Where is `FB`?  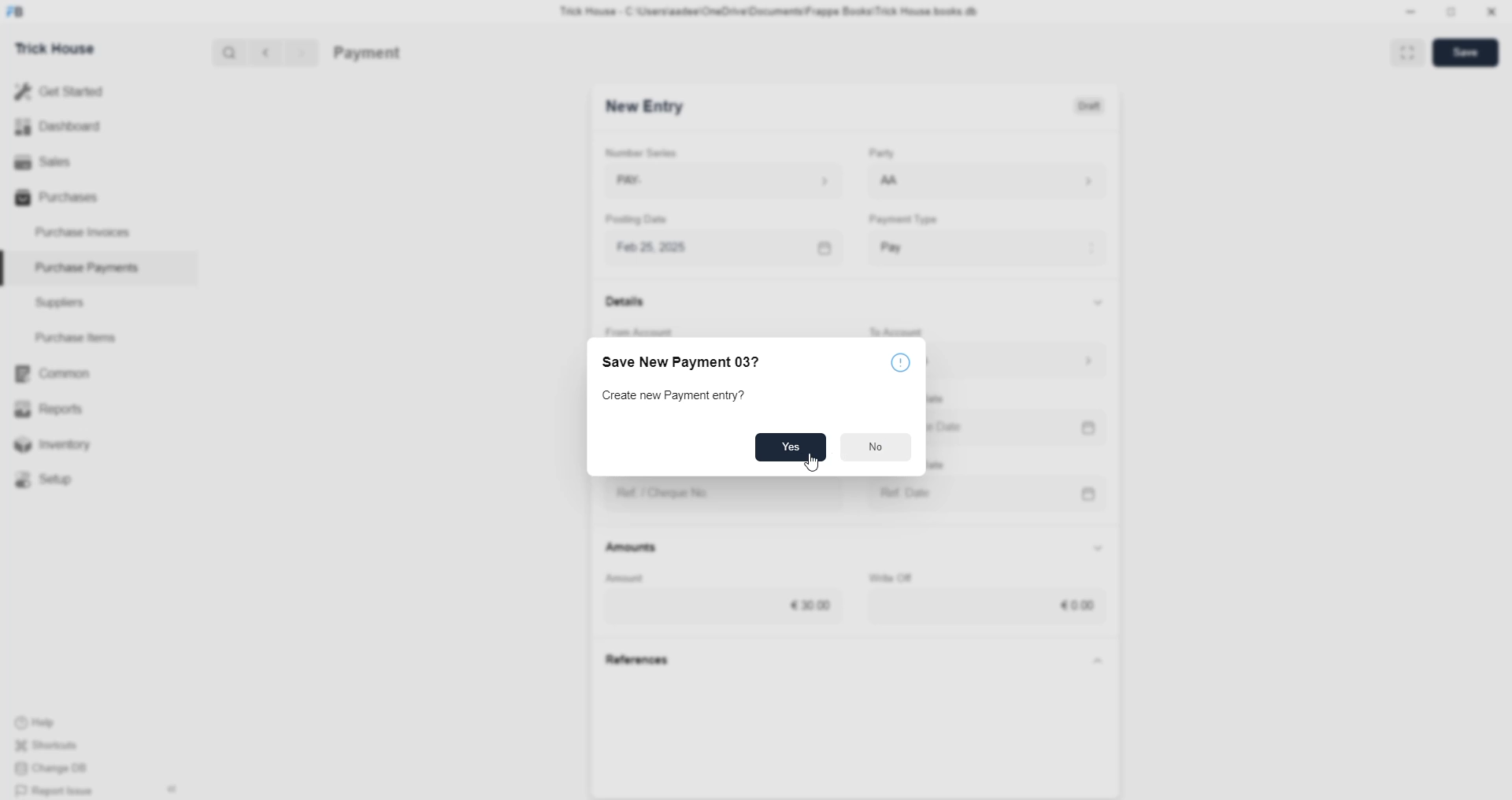 FB is located at coordinates (18, 10).